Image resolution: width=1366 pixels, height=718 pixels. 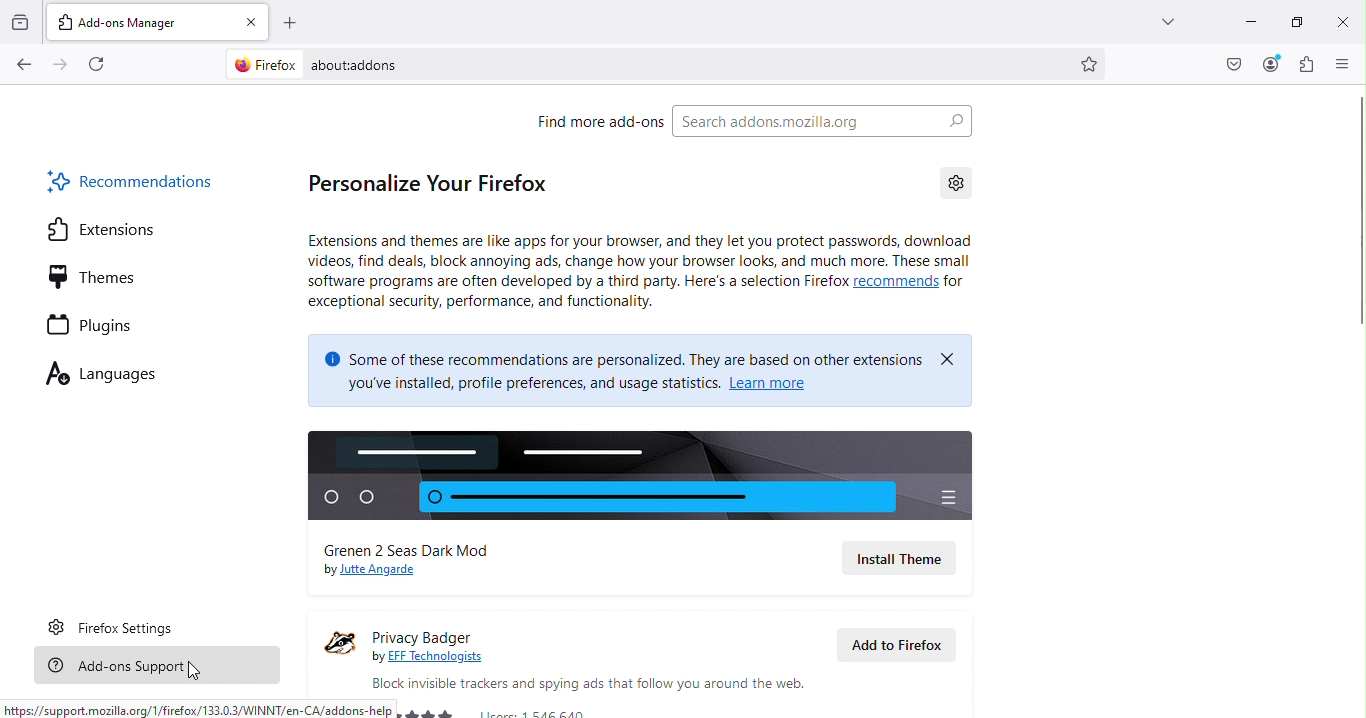 I want to click on Close, so click(x=1341, y=20).